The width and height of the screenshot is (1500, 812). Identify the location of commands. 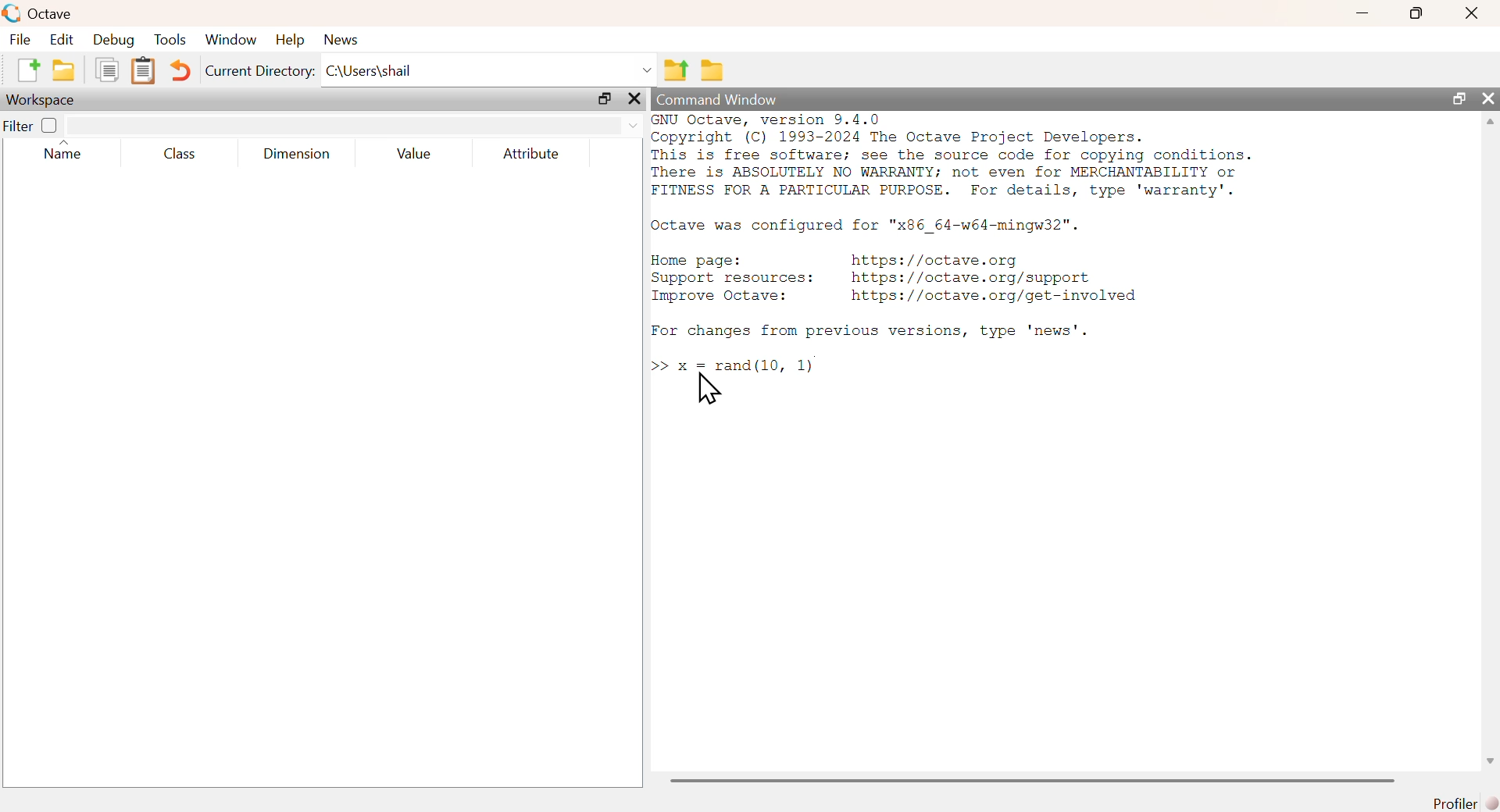
(959, 248).